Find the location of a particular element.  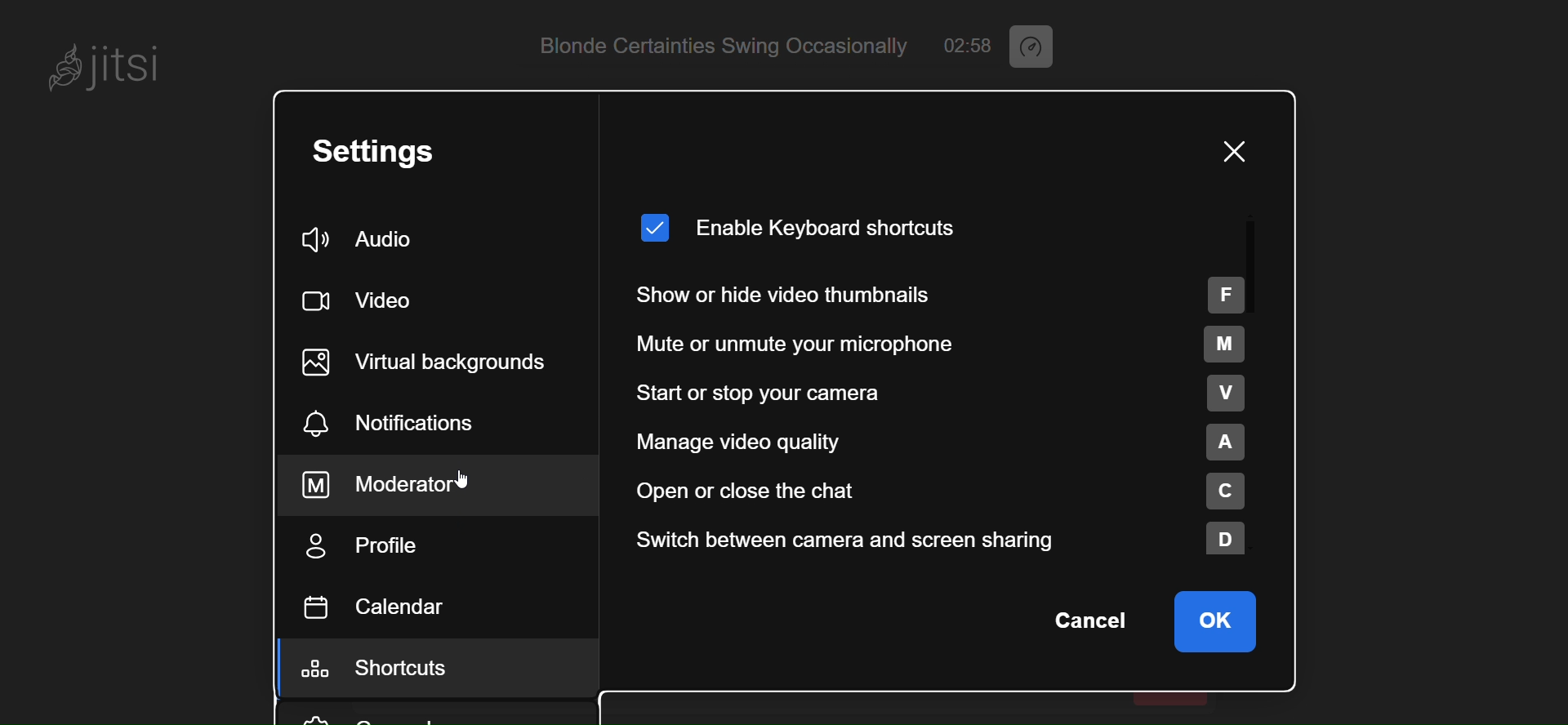

open or close the chat is located at coordinates (939, 491).